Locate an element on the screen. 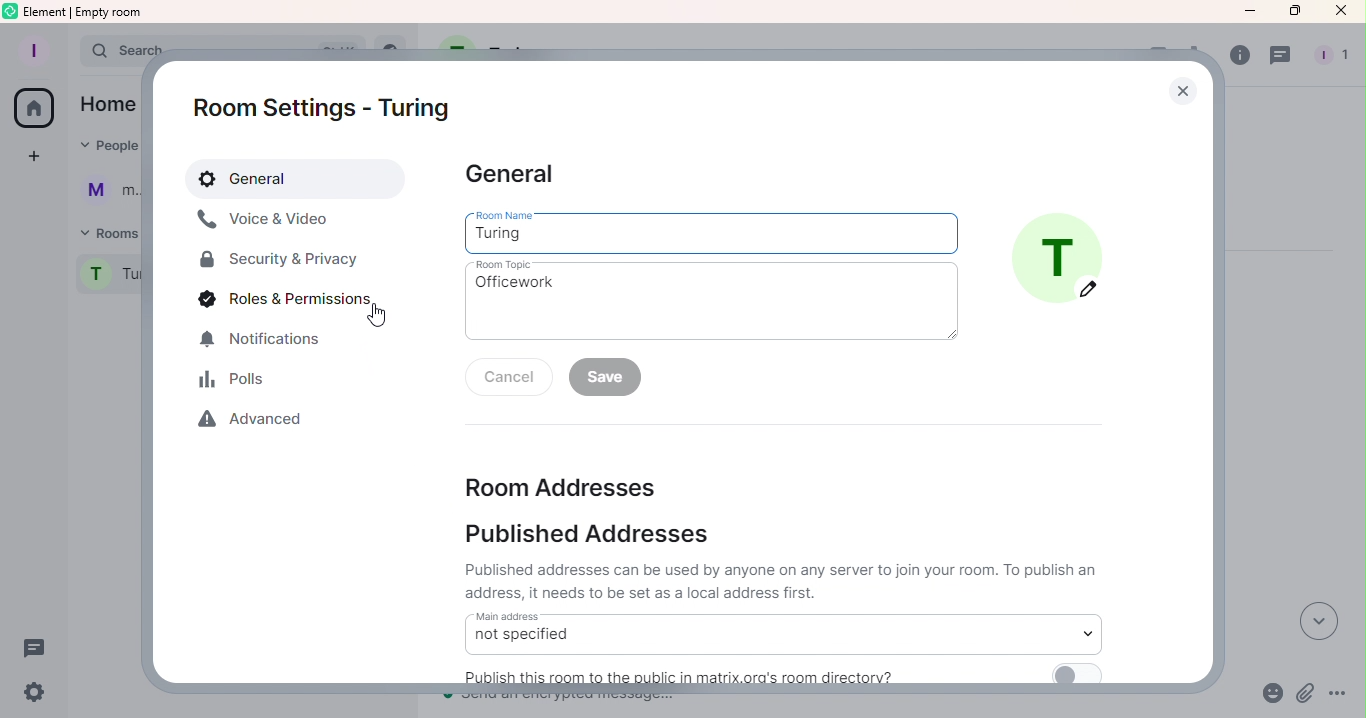 Image resolution: width=1366 pixels, height=718 pixels. cursor is located at coordinates (380, 317).